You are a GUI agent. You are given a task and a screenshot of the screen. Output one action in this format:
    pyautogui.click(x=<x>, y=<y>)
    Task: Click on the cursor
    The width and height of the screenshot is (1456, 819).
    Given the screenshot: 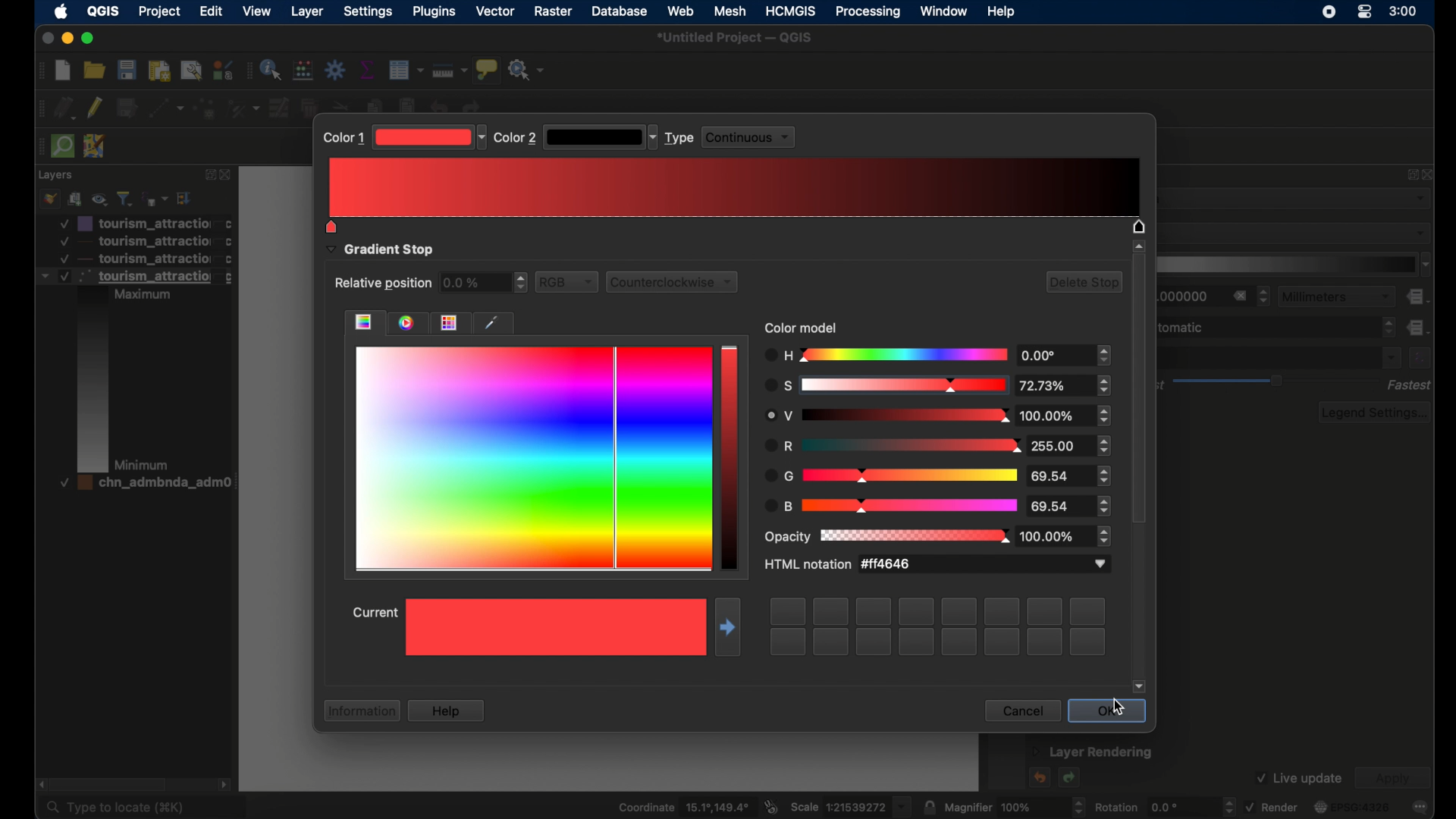 What is the action you would take?
    pyautogui.click(x=1122, y=707)
    